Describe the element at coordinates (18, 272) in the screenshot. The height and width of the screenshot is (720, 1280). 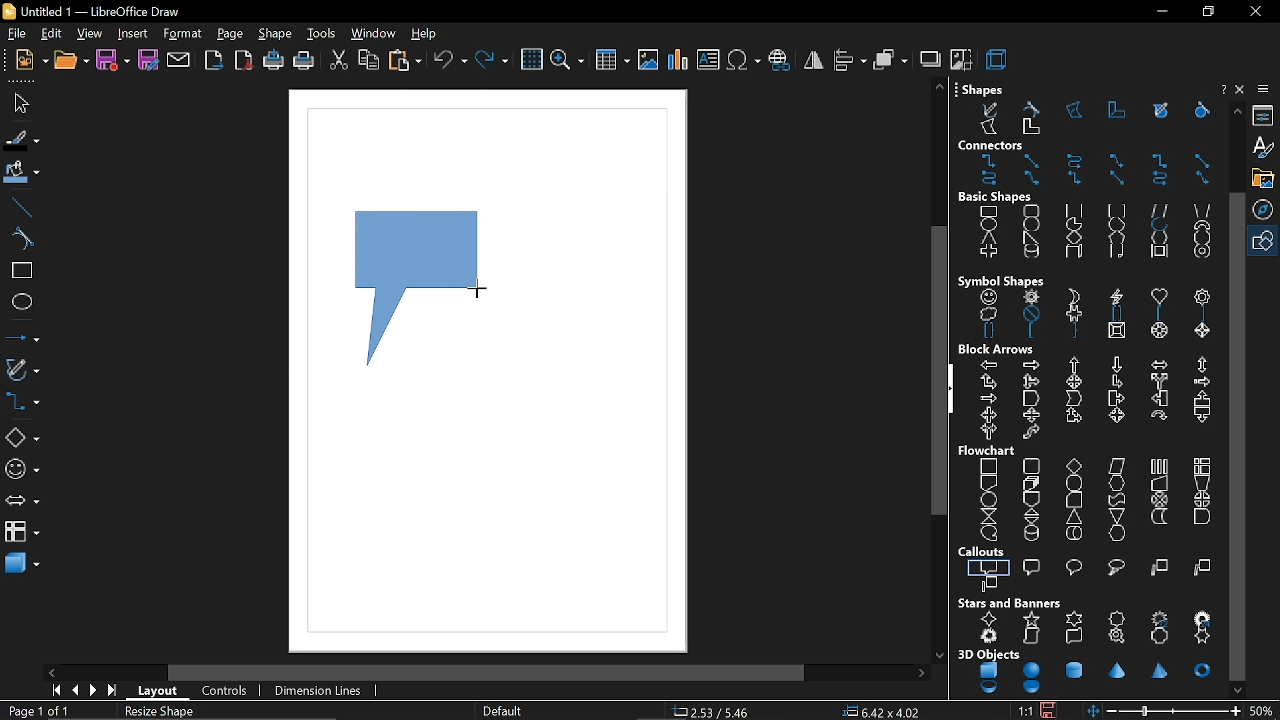
I see `rectangle` at that location.